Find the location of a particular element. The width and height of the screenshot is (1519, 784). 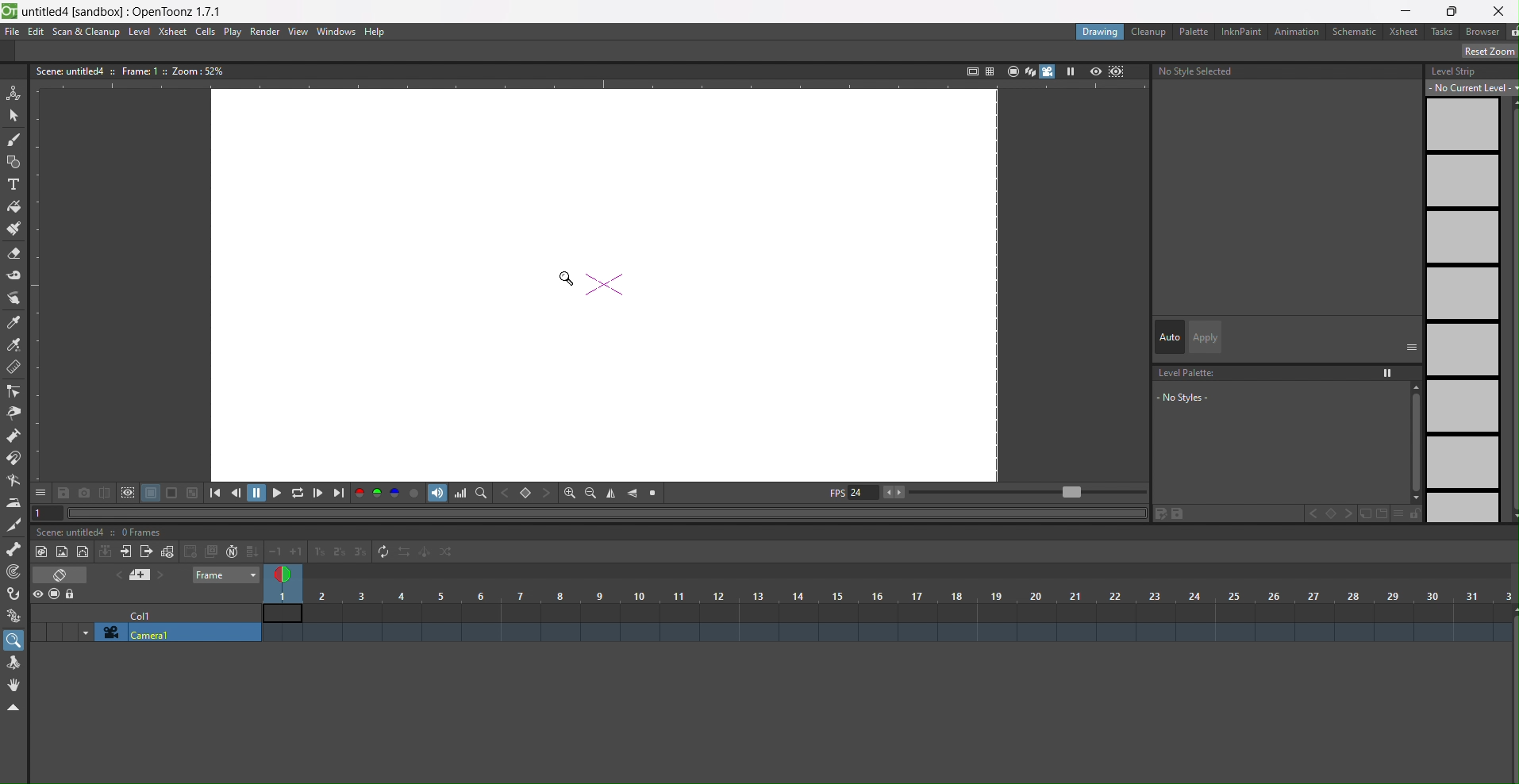

 is located at coordinates (14, 322).